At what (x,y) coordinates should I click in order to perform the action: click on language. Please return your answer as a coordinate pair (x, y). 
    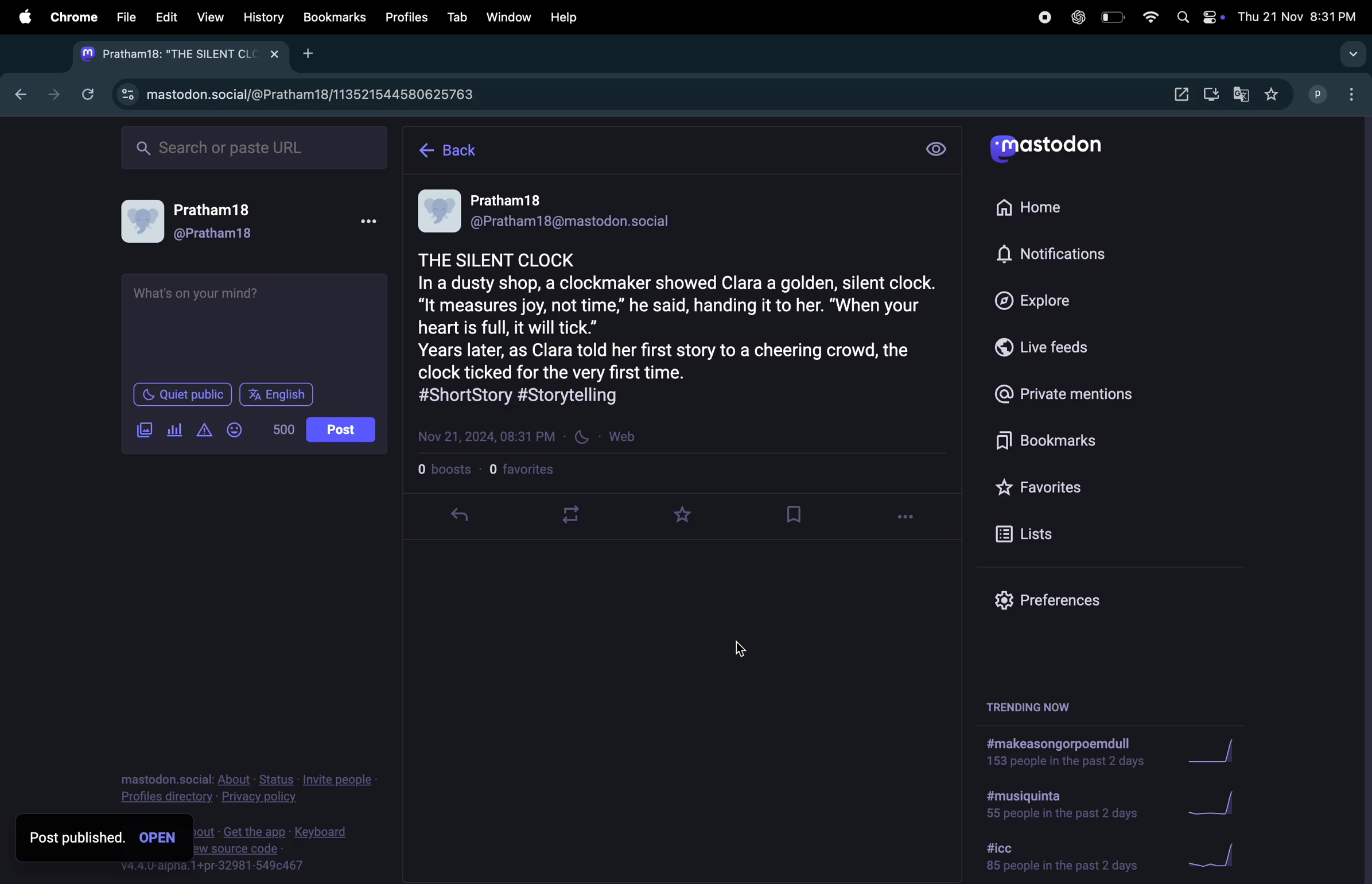
    Looking at the image, I should click on (281, 393).